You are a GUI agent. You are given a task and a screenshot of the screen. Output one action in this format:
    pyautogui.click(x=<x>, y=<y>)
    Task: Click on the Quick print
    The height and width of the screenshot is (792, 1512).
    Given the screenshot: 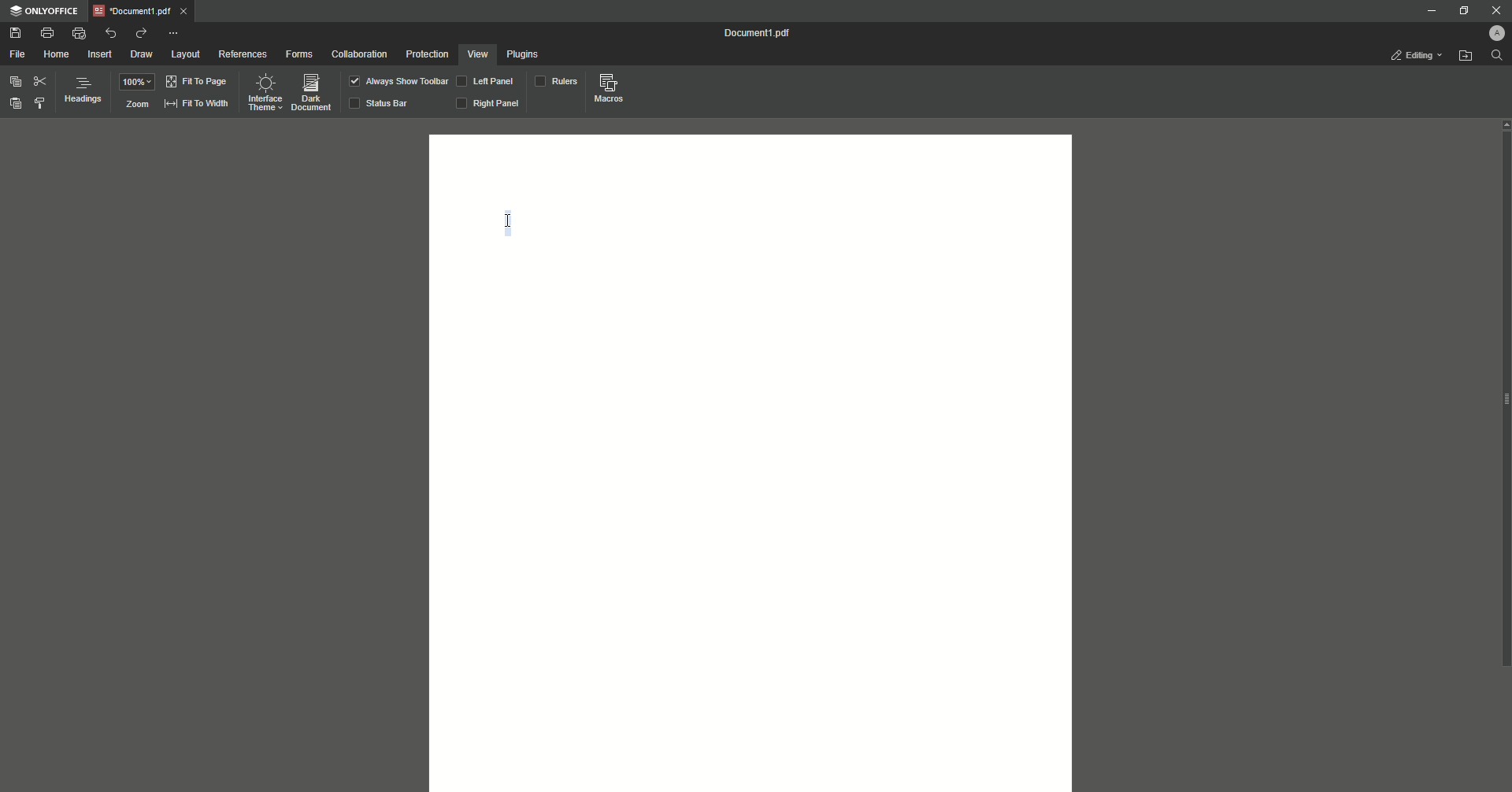 What is the action you would take?
    pyautogui.click(x=80, y=33)
    